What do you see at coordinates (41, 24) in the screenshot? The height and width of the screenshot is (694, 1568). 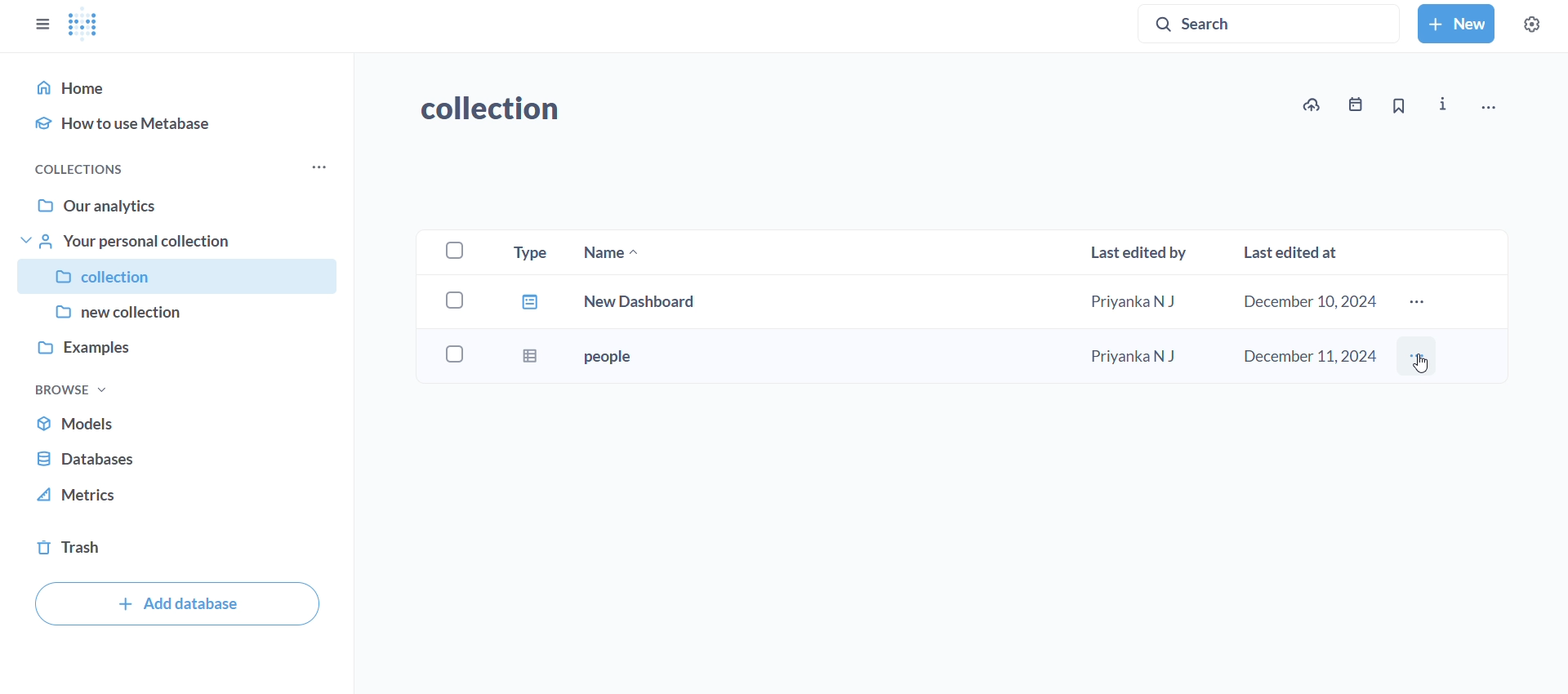 I see `close sidebar` at bounding box center [41, 24].